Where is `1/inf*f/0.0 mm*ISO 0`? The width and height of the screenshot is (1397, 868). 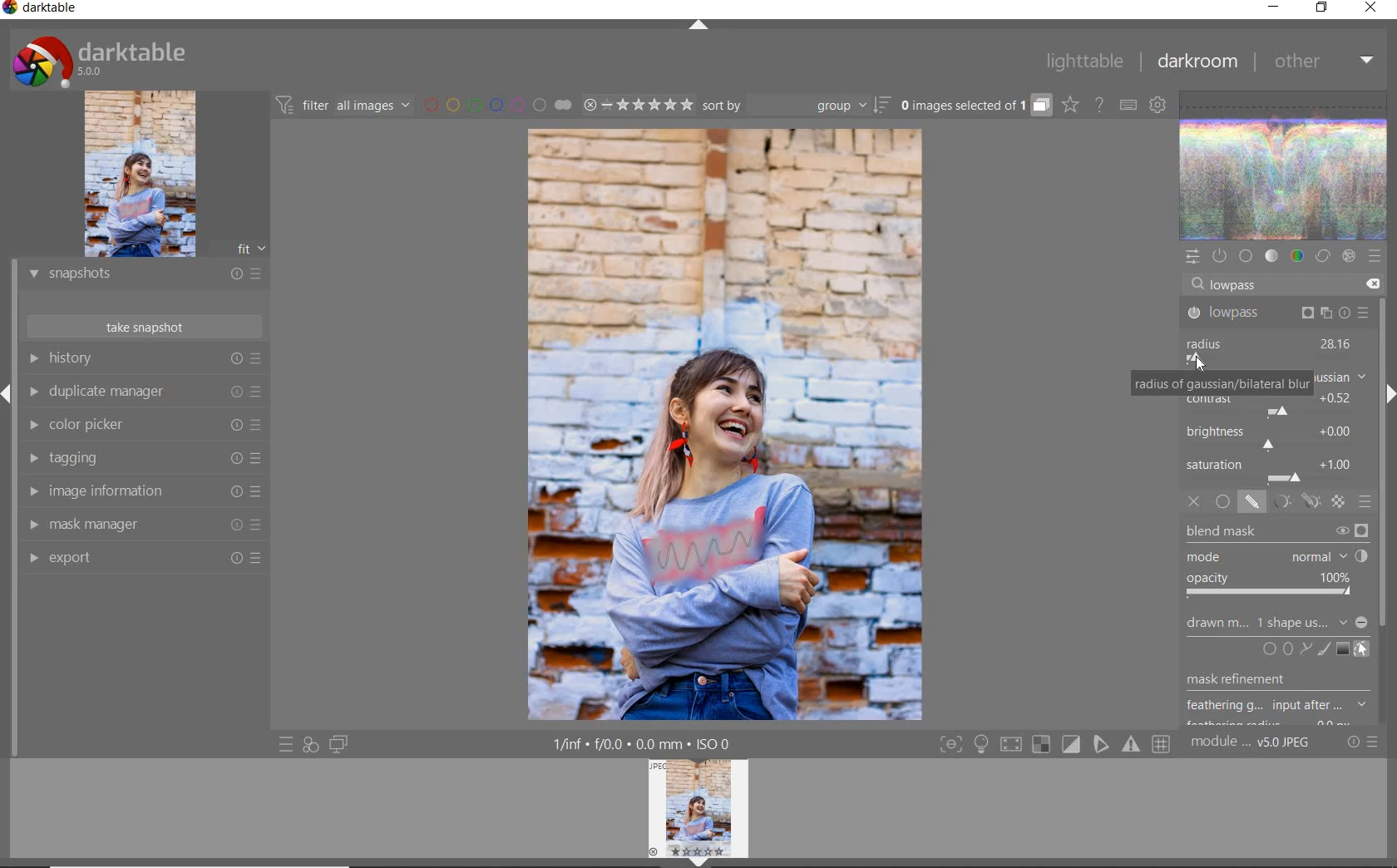 1/inf*f/0.0 mm*ISO 0 is located at coordinates (646, 744).